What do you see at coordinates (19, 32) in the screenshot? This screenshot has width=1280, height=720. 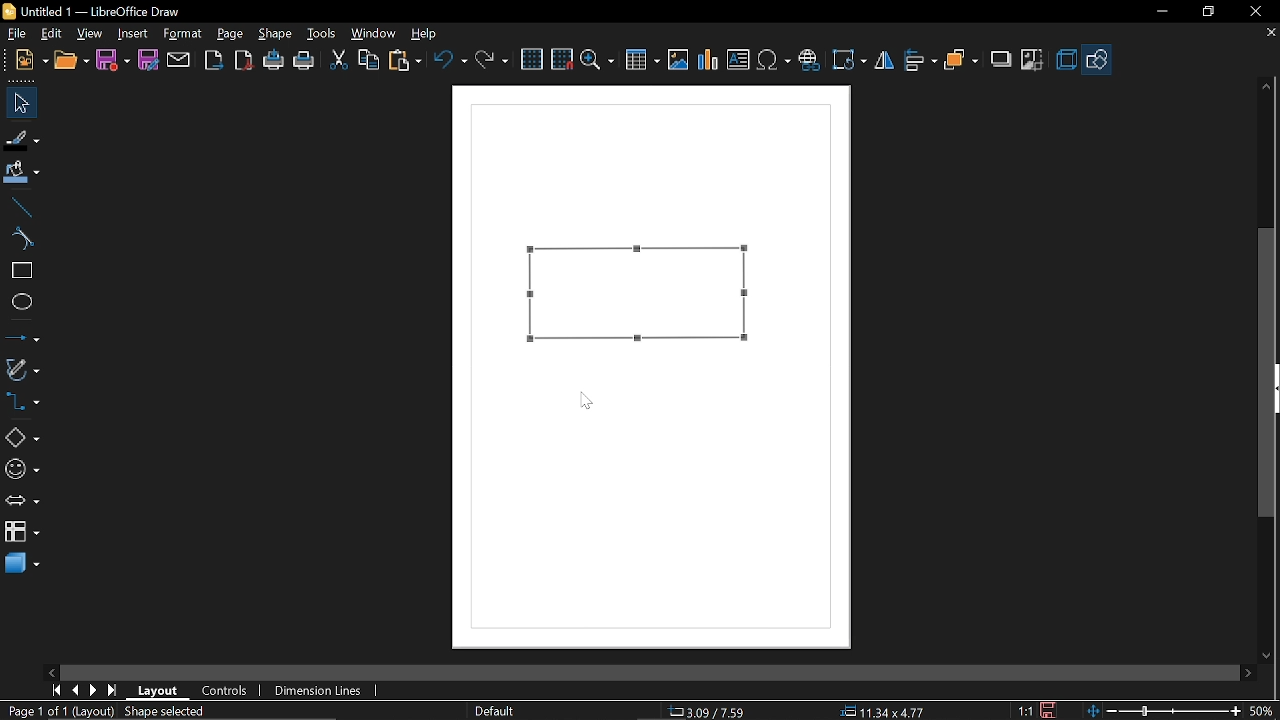 I see `File` at bounding box center [19, 32].